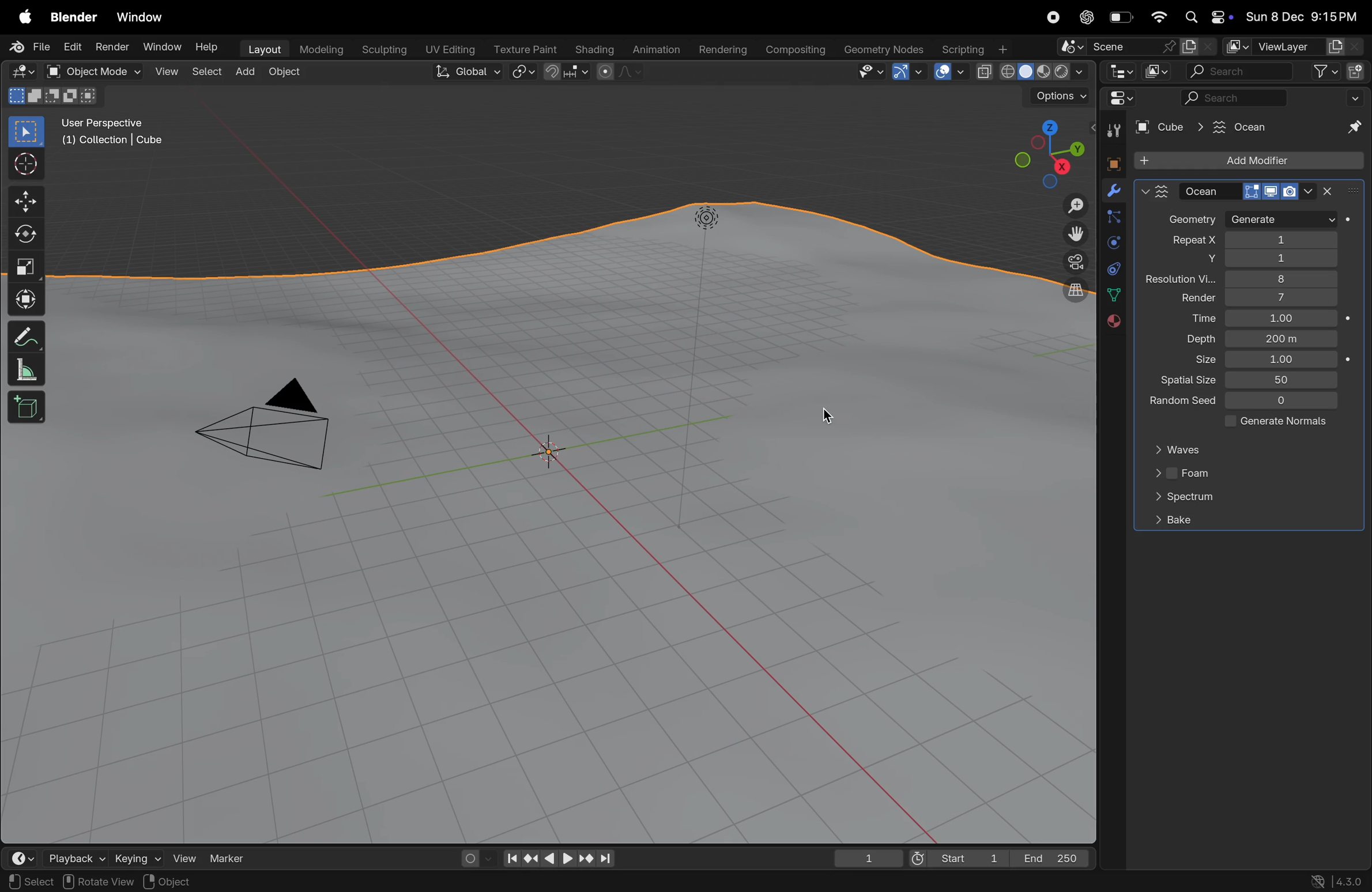 The image size is (1372, 892). I want to click on repeat , so click(1185, 241).